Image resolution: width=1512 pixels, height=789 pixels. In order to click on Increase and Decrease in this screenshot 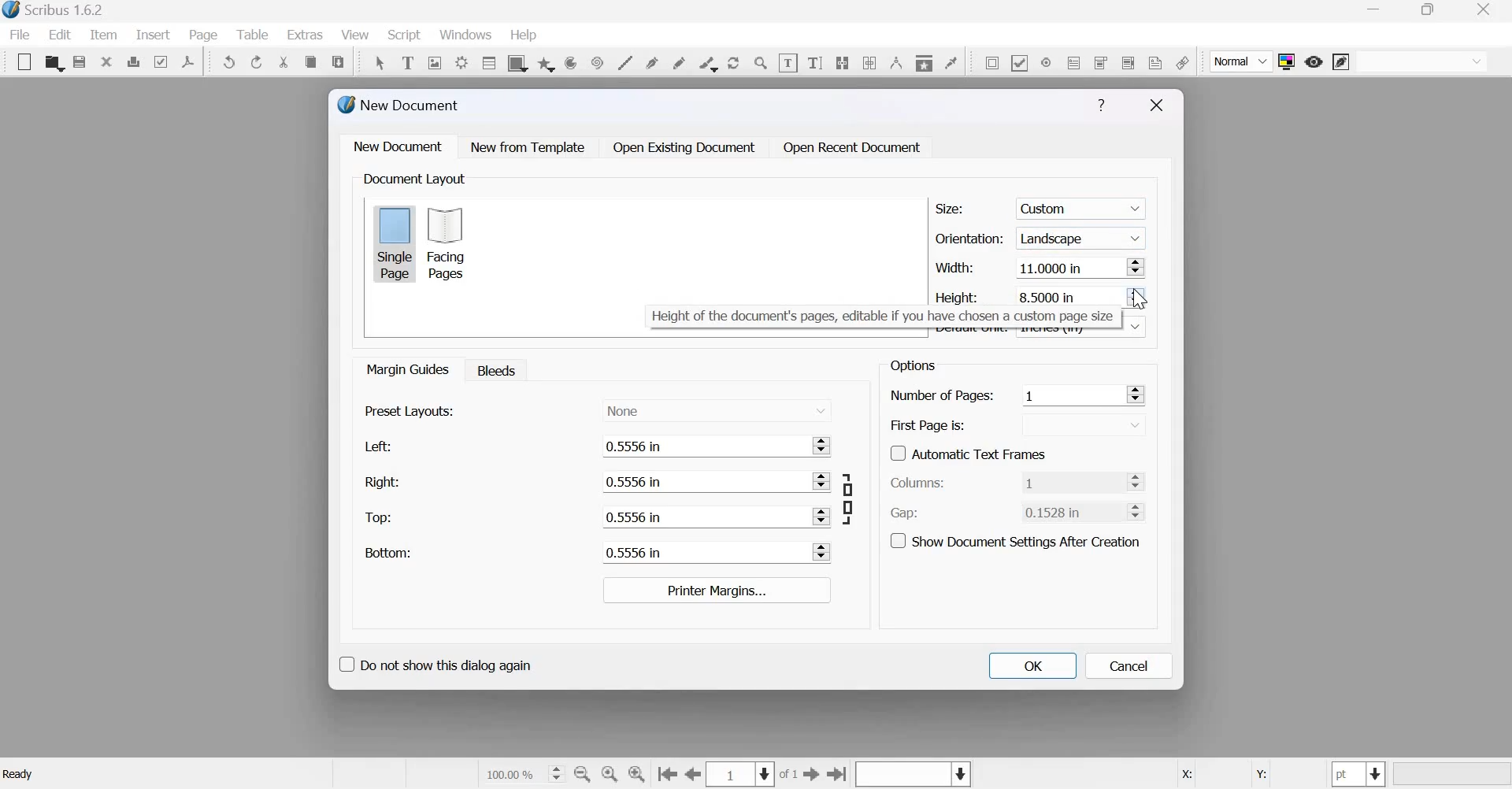, I will do `click(1140, 481)`.